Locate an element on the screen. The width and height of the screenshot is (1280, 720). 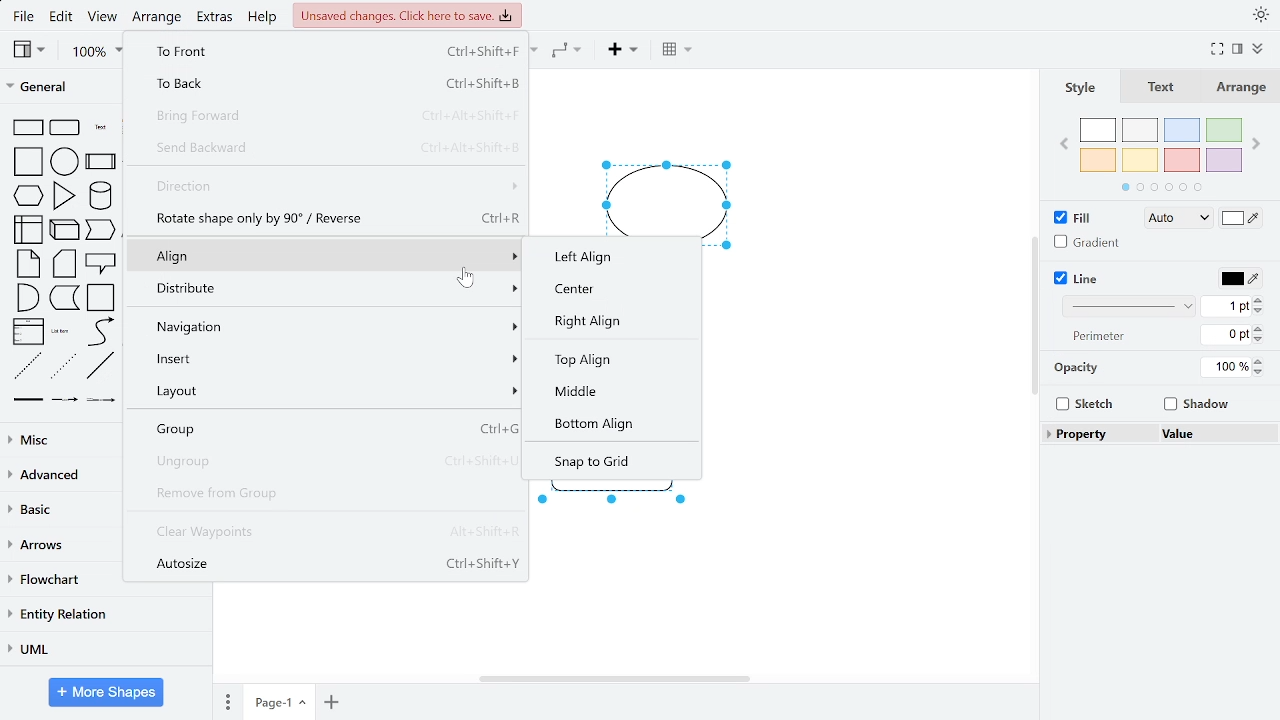
rotate the shape only by 90 degrees is located at coordinates (330, 218).